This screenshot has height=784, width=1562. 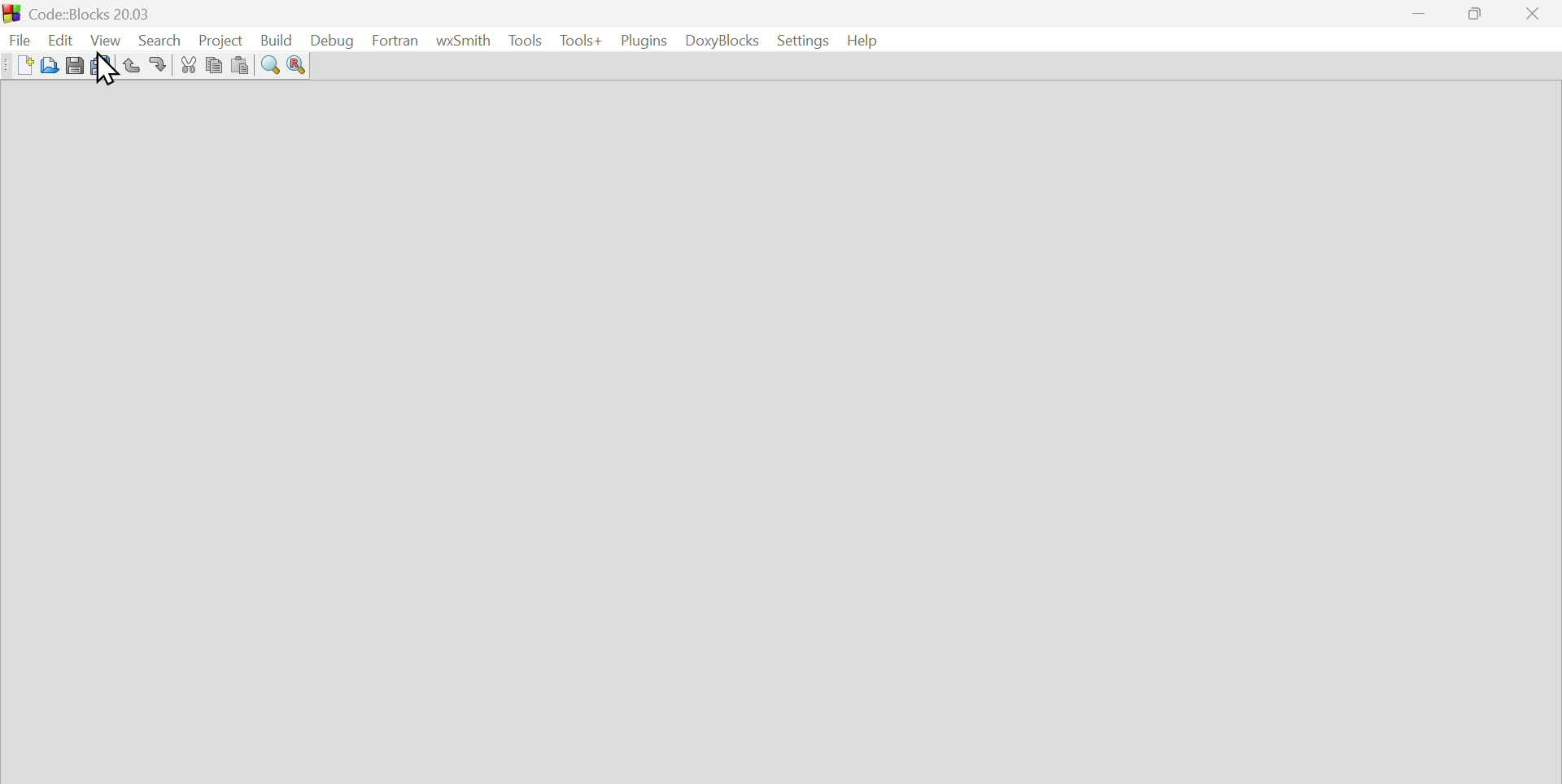 What do you see at coordinates (132, 64) in the screenshot?
I see `Undo` at bounding box center [132, 64].